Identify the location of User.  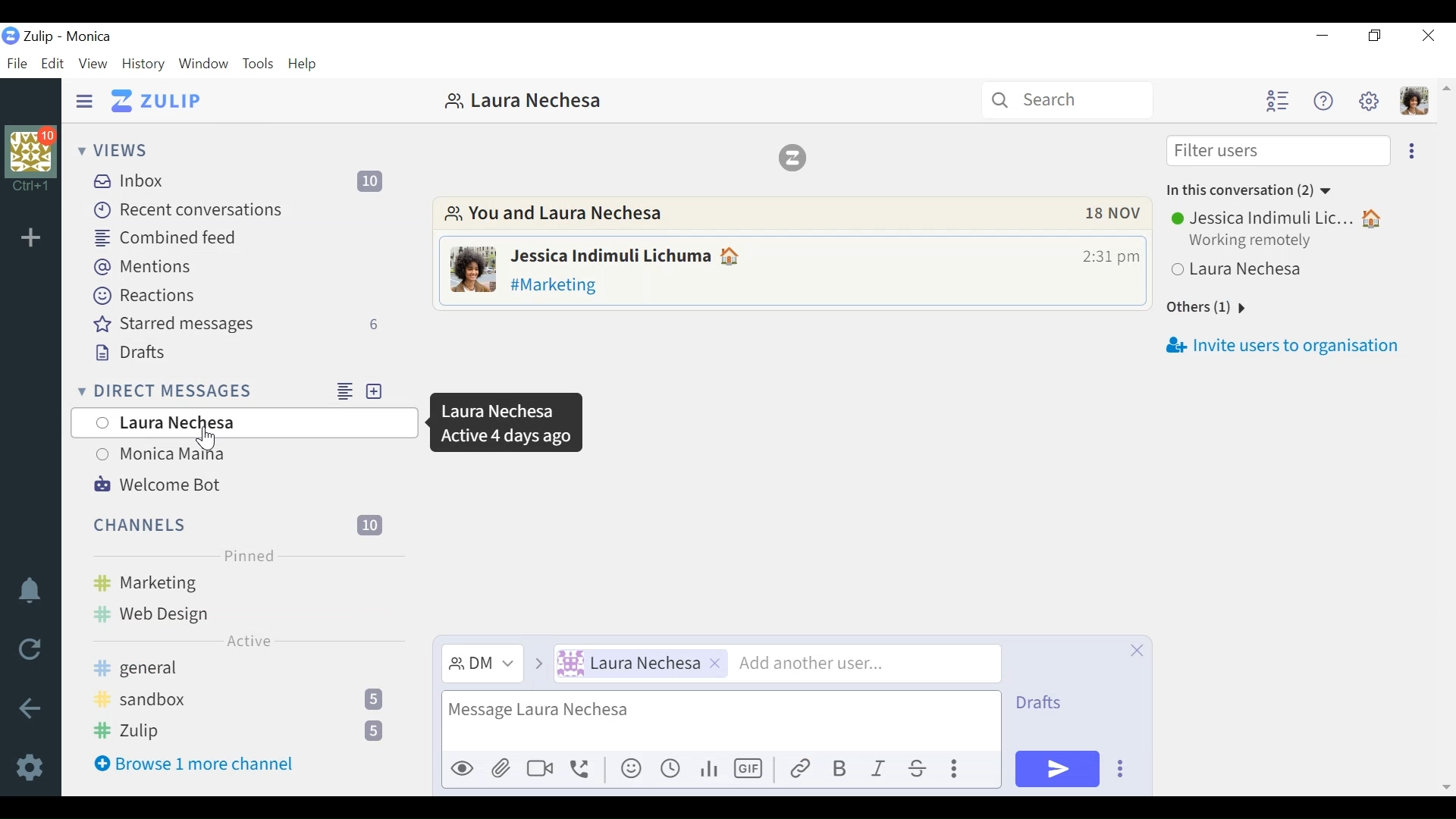
(242, 424).